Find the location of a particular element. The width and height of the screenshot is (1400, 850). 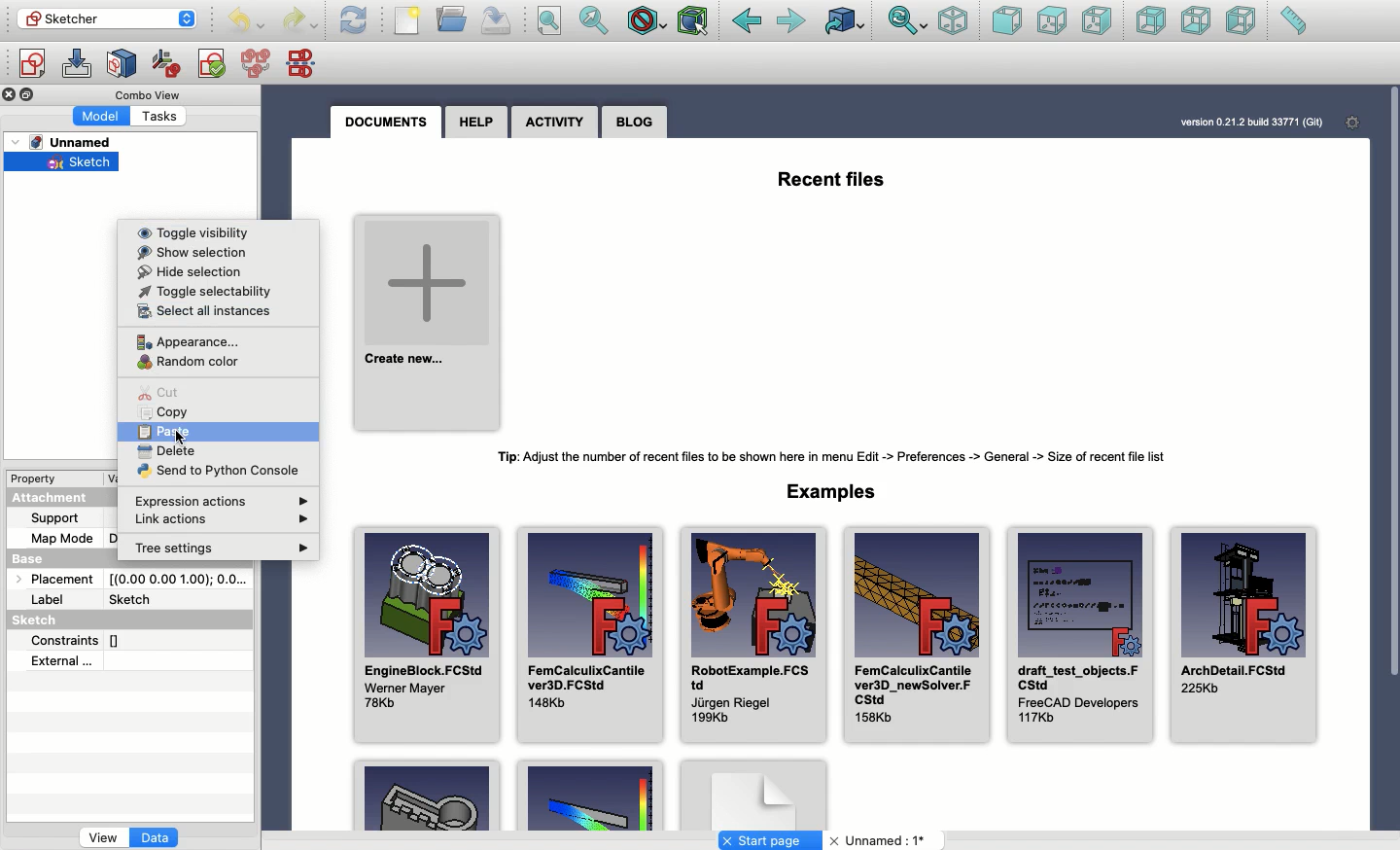

Expression actions  is located at coordinates (228, 497).